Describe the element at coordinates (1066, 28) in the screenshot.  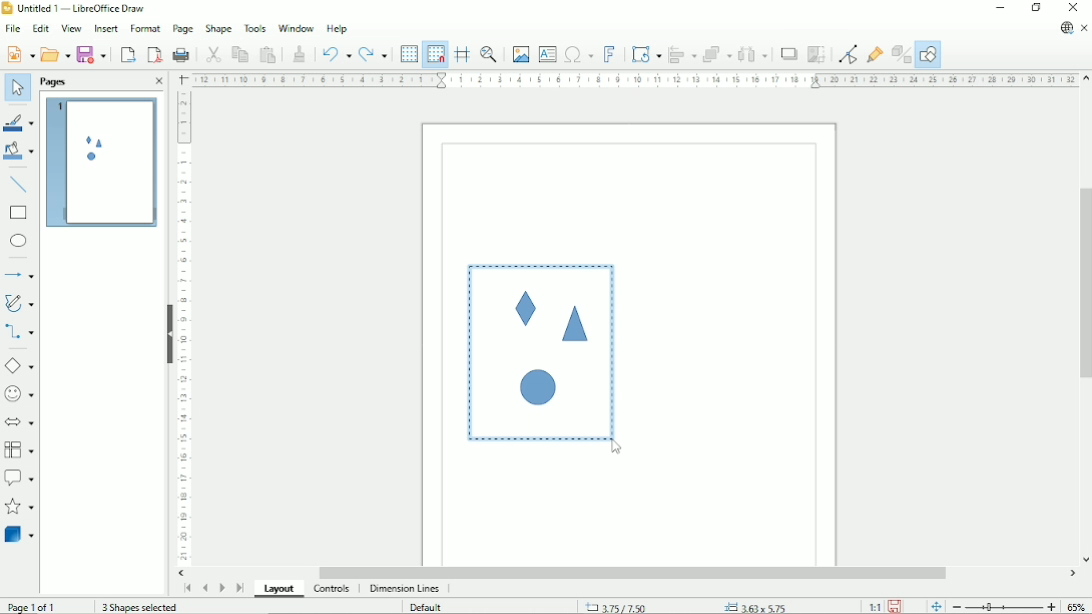
I see `Update available` at that location.